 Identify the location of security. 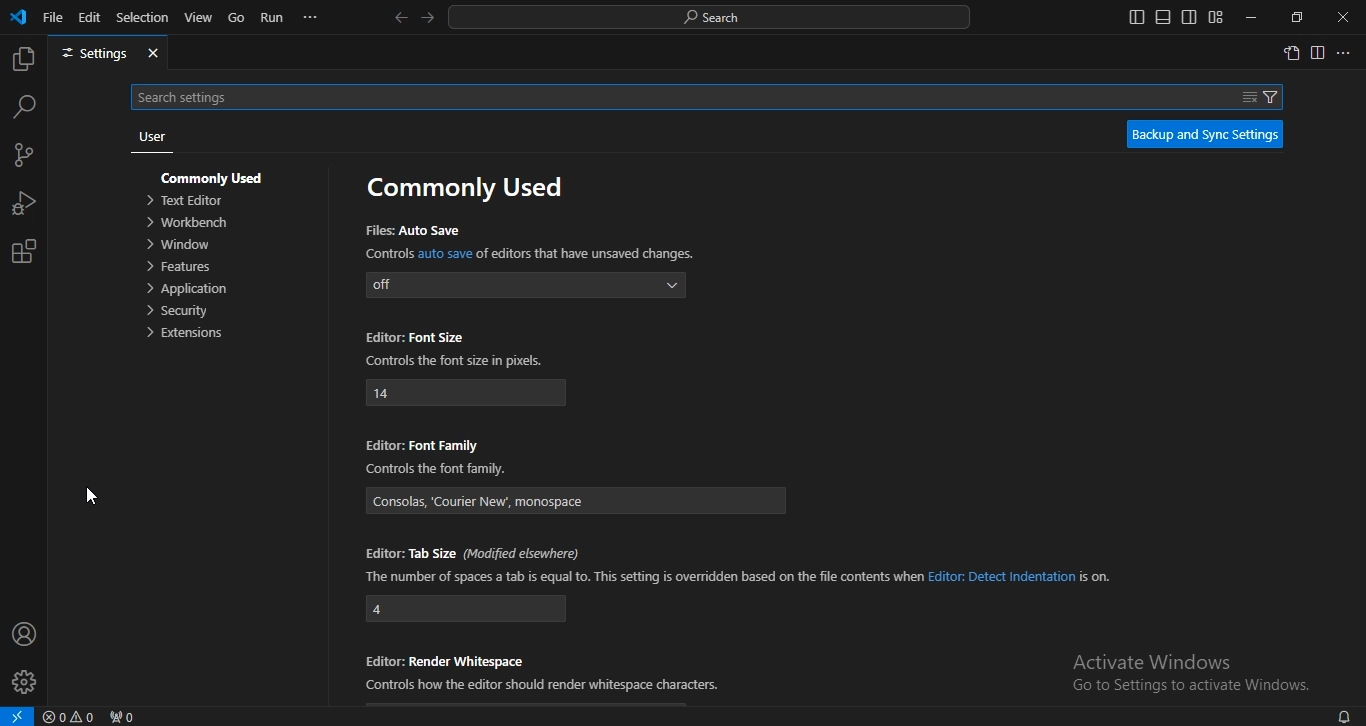
(179, 314).